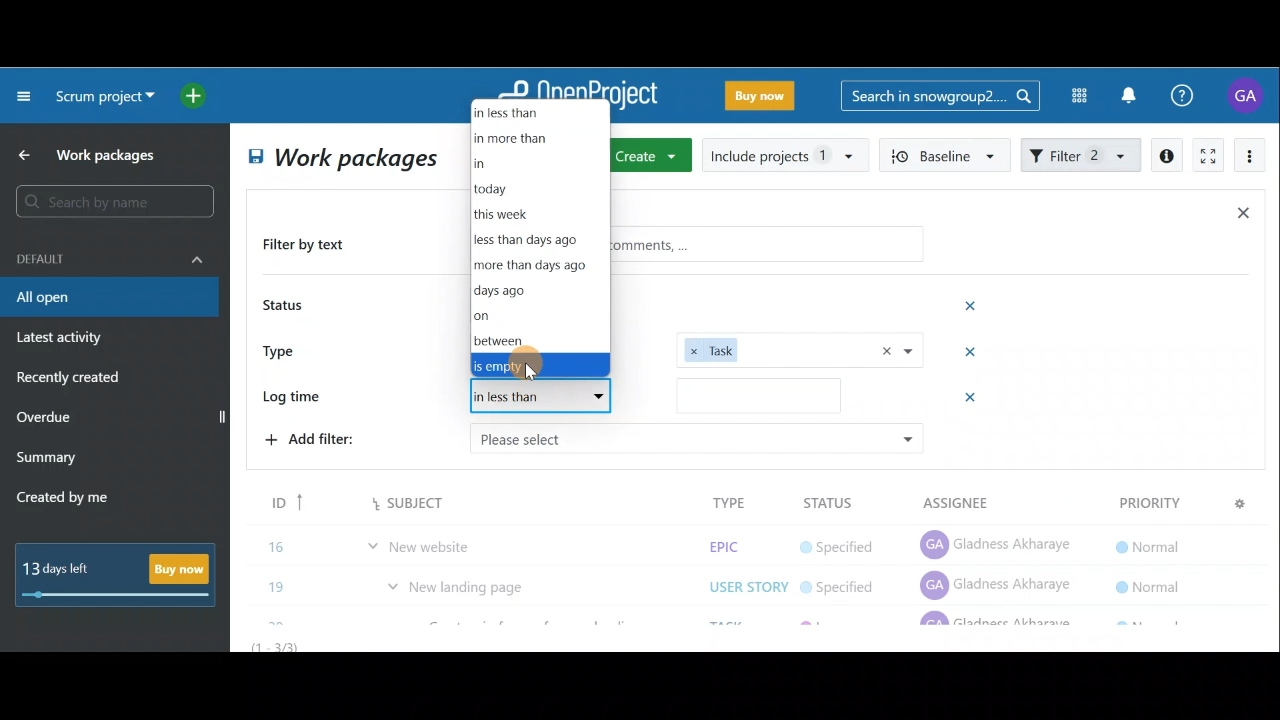 This screenshot has width=1280, height=720. Describe the element at coordinates (848, 543) in the screenshot. I see `Gladnes:` at that location.